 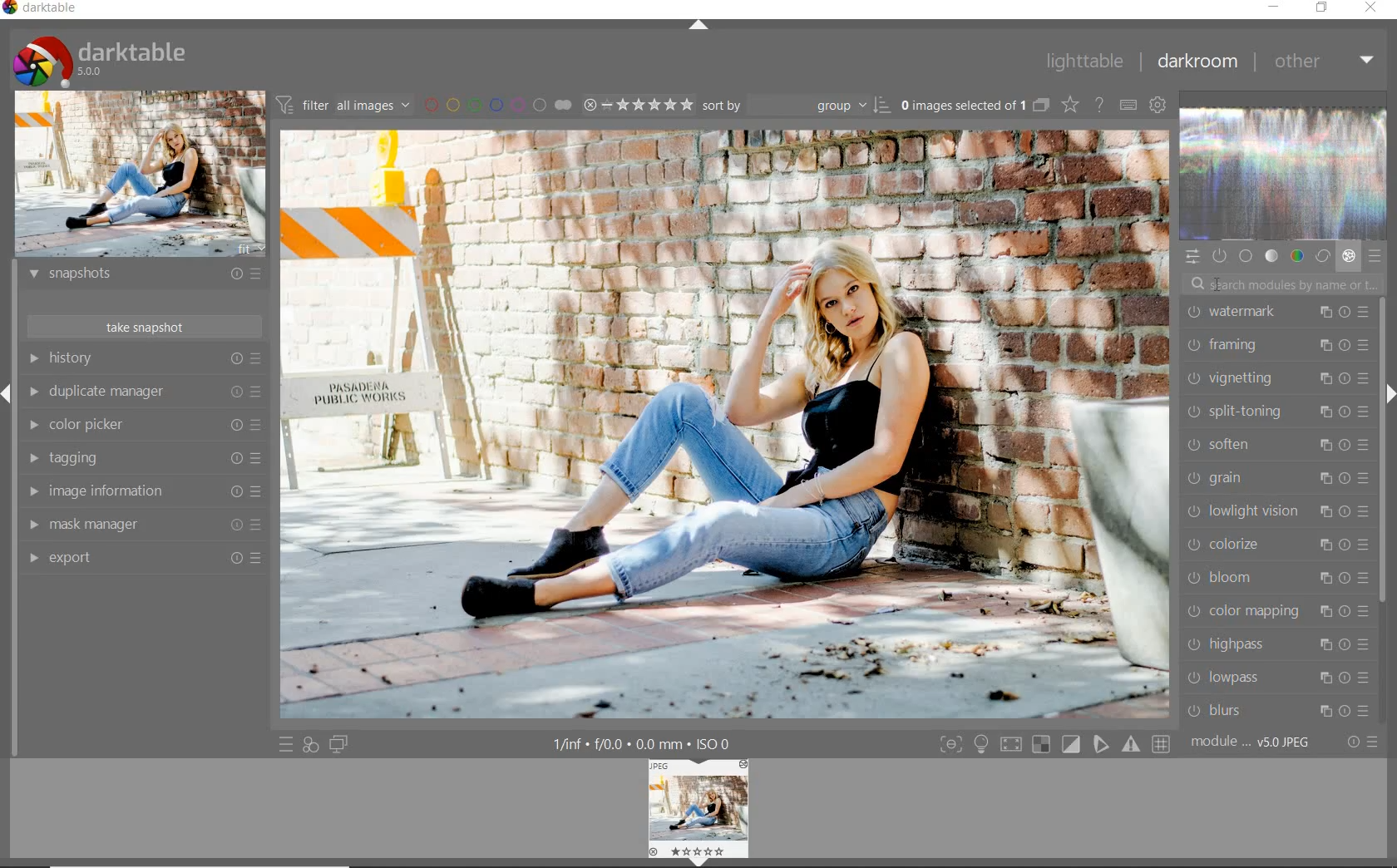 What do you see at coordinates (1192, 255) in the screenshot?
I see `quick access panel` at bounding box center [1192, 255].